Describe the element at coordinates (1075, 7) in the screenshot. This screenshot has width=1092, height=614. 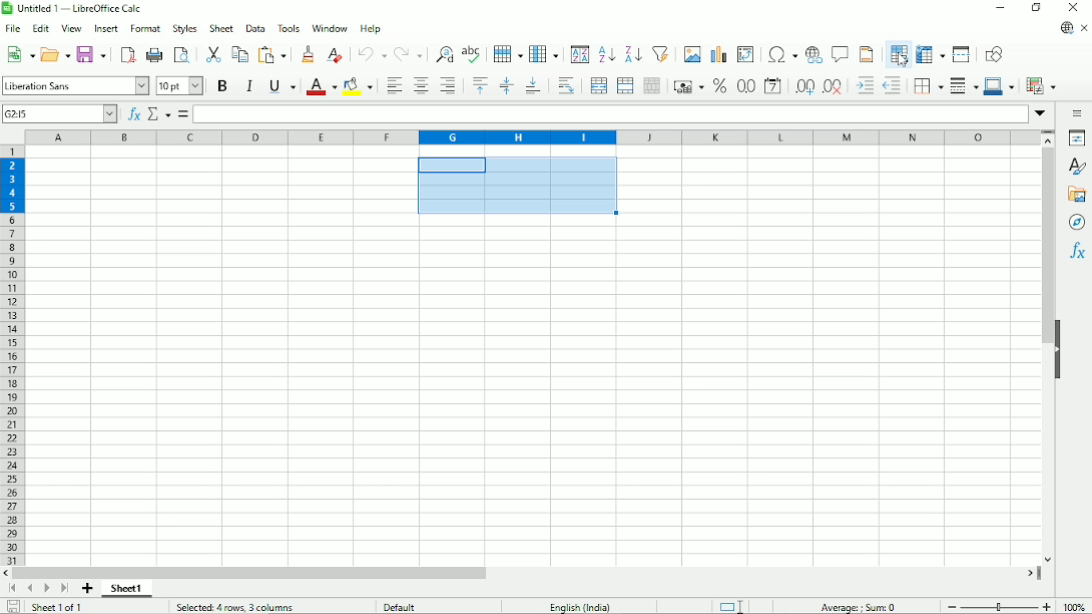
I see `Close` at that location.